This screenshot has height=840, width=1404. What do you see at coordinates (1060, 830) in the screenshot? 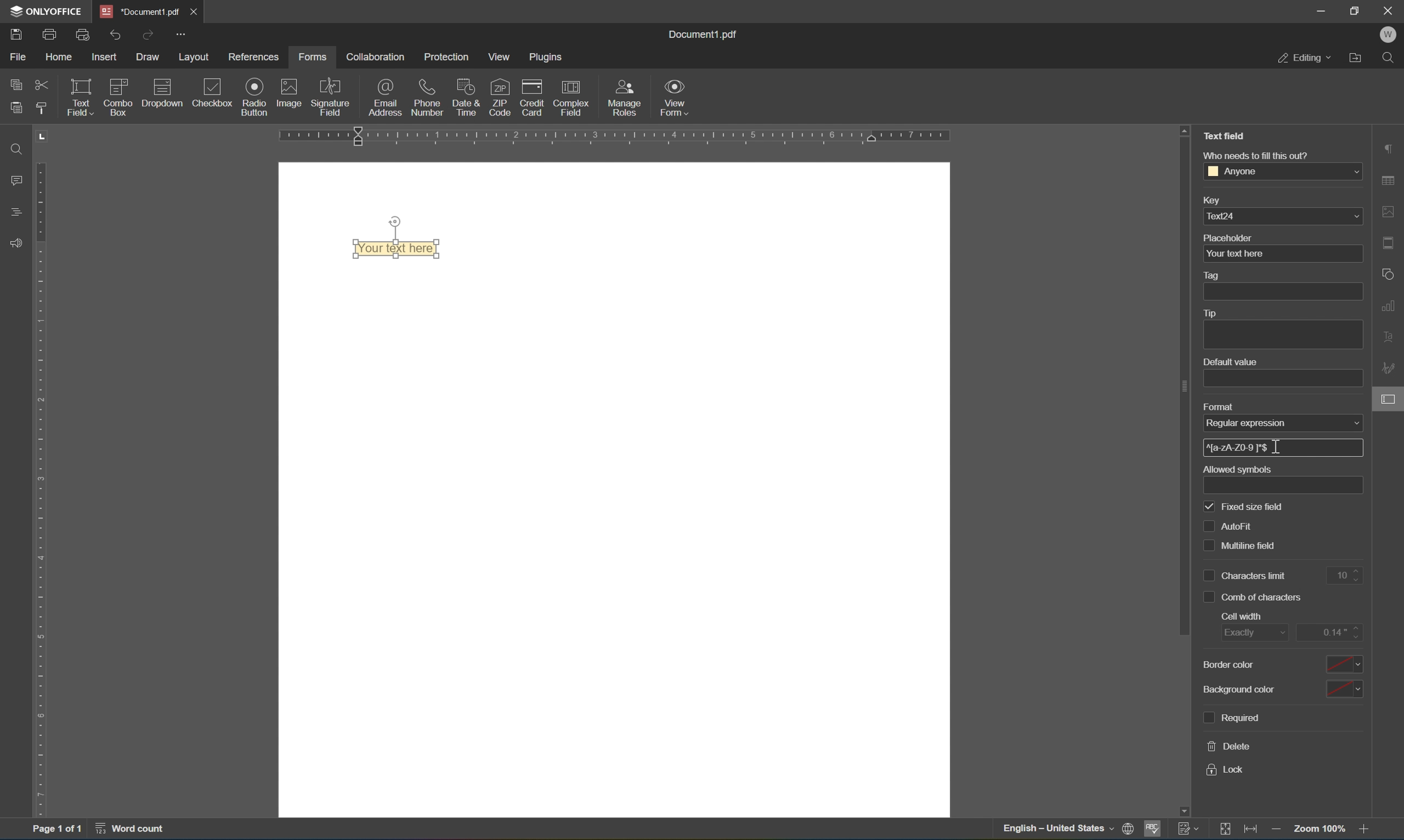
I see `english - united states` at bounding box center [1060, 830].